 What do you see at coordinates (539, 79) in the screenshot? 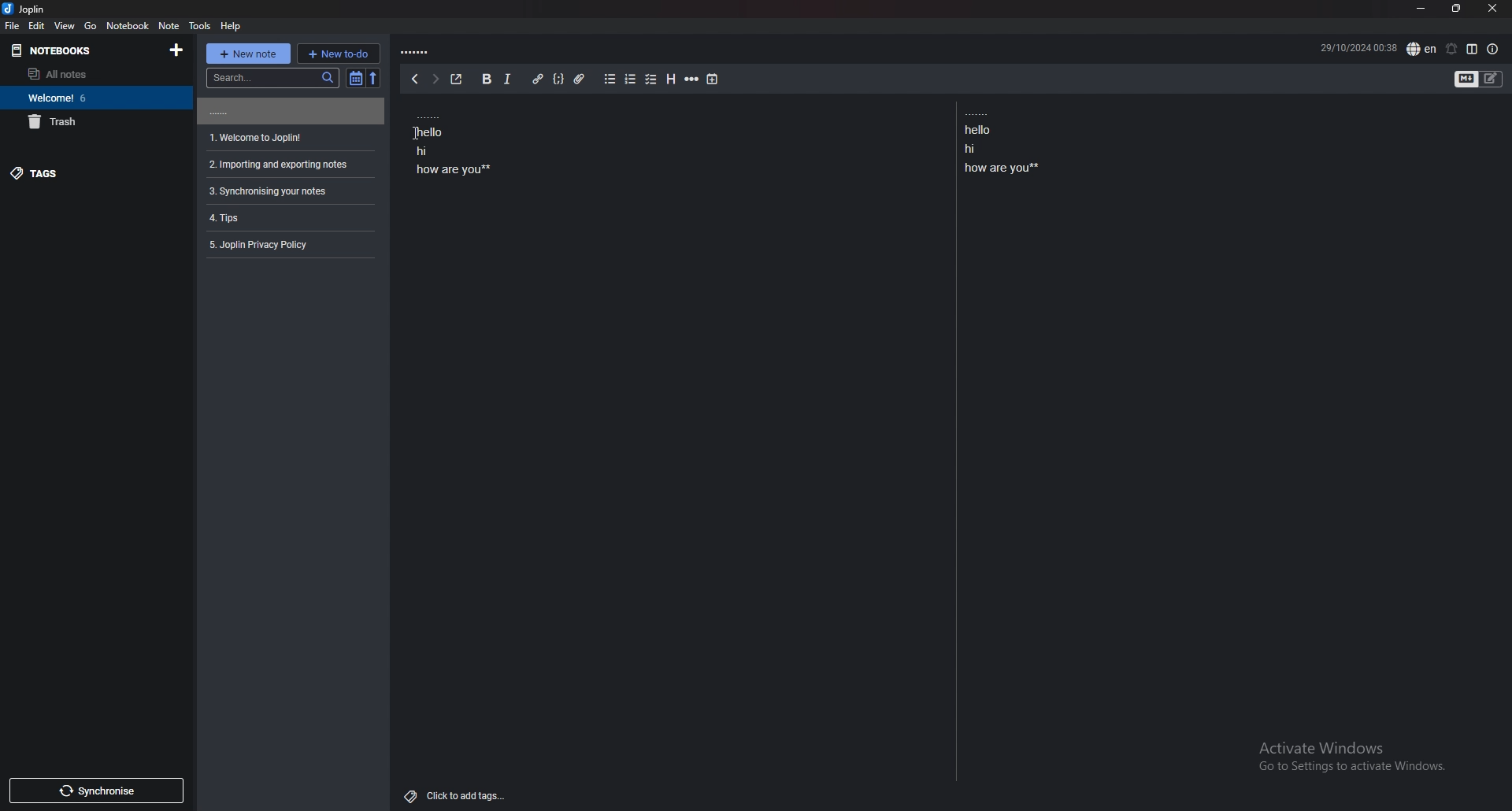
I see `add hyperlink` at bounding box center [539, 79].